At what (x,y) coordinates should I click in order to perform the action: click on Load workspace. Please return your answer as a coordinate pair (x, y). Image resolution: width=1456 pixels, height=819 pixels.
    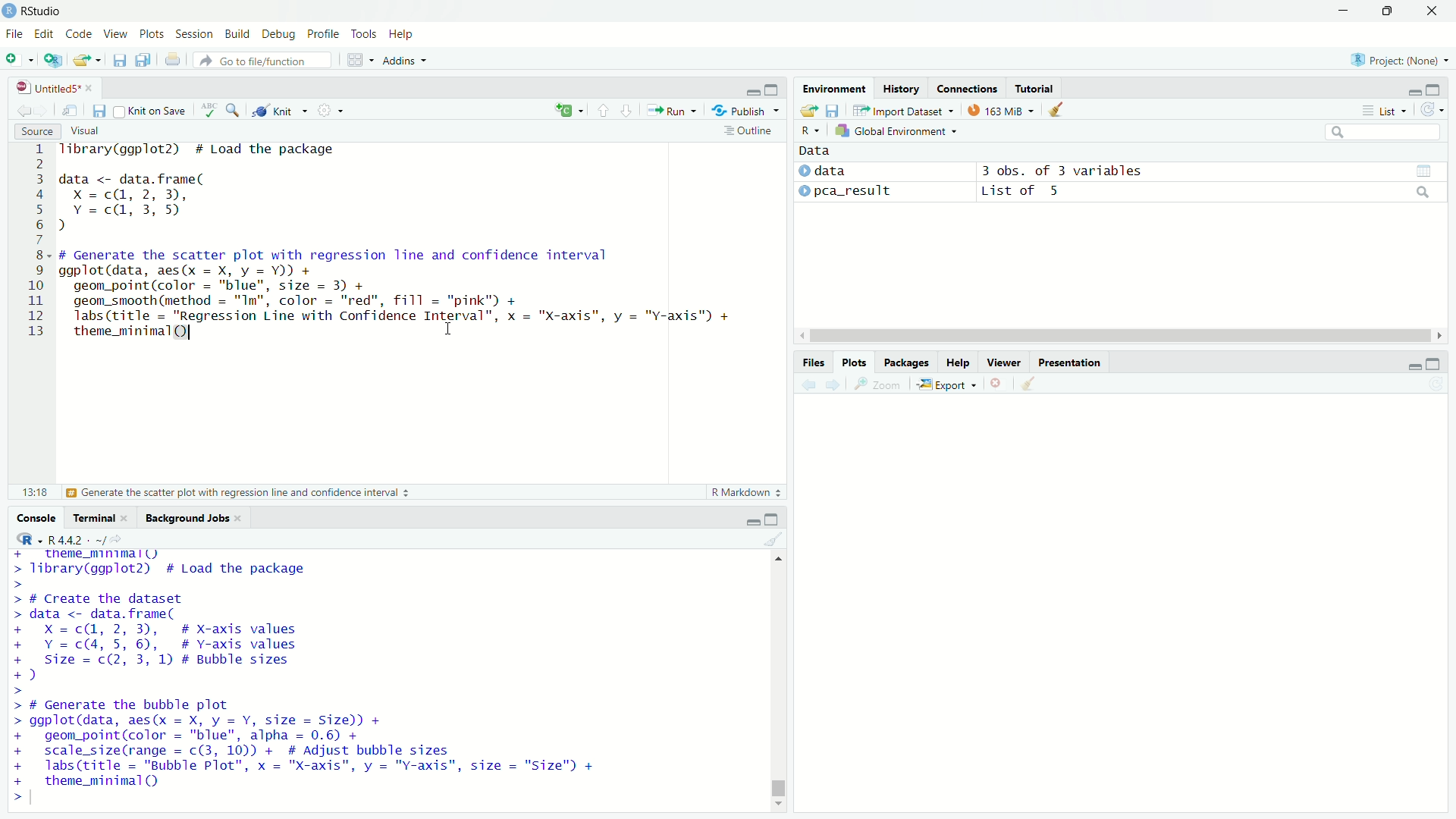
    Looking at the image, I should click on (808, 109).